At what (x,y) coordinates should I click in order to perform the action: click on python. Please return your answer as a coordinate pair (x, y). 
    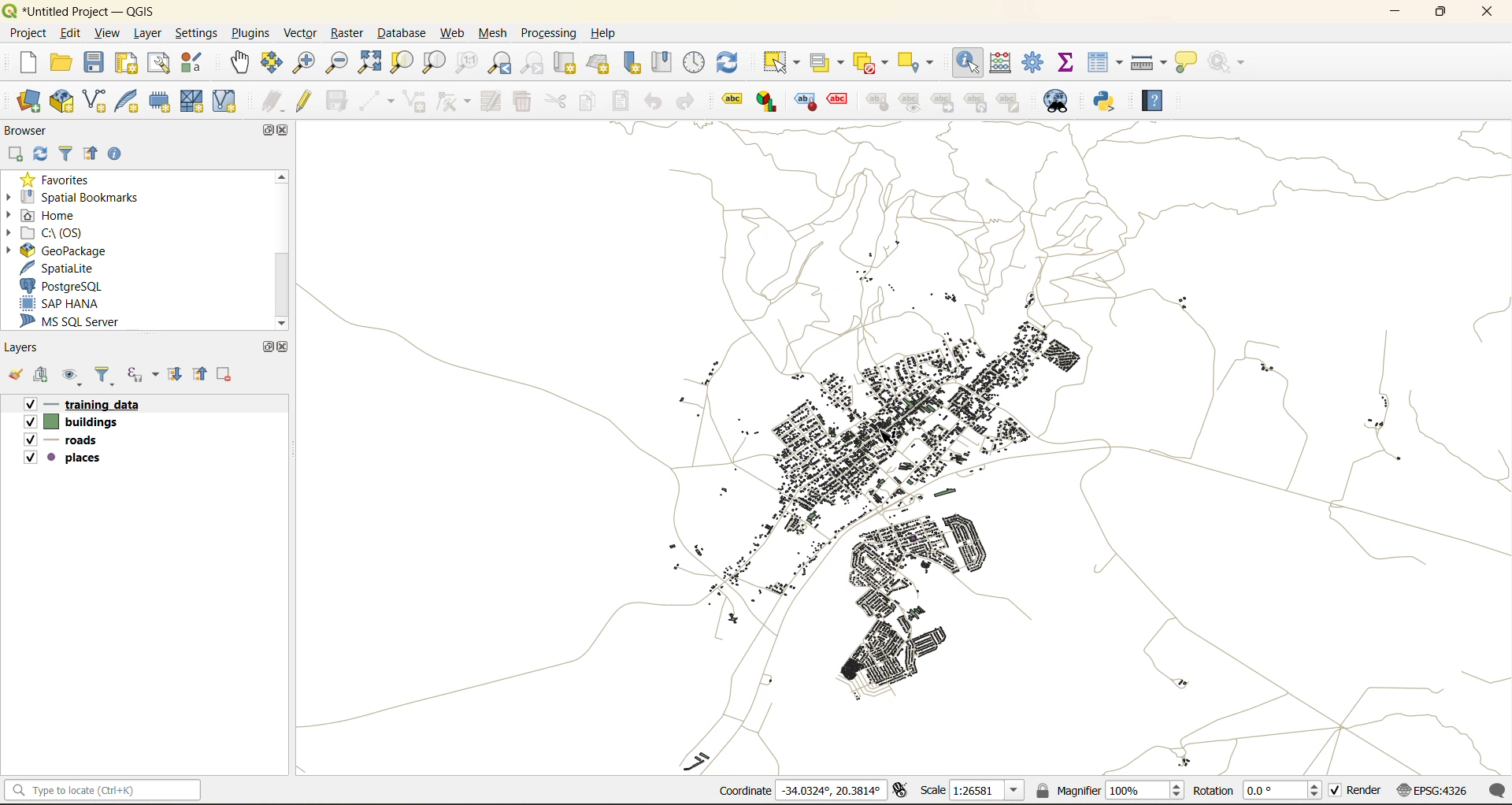
    Looking at the image, I should click on (1105, 102).